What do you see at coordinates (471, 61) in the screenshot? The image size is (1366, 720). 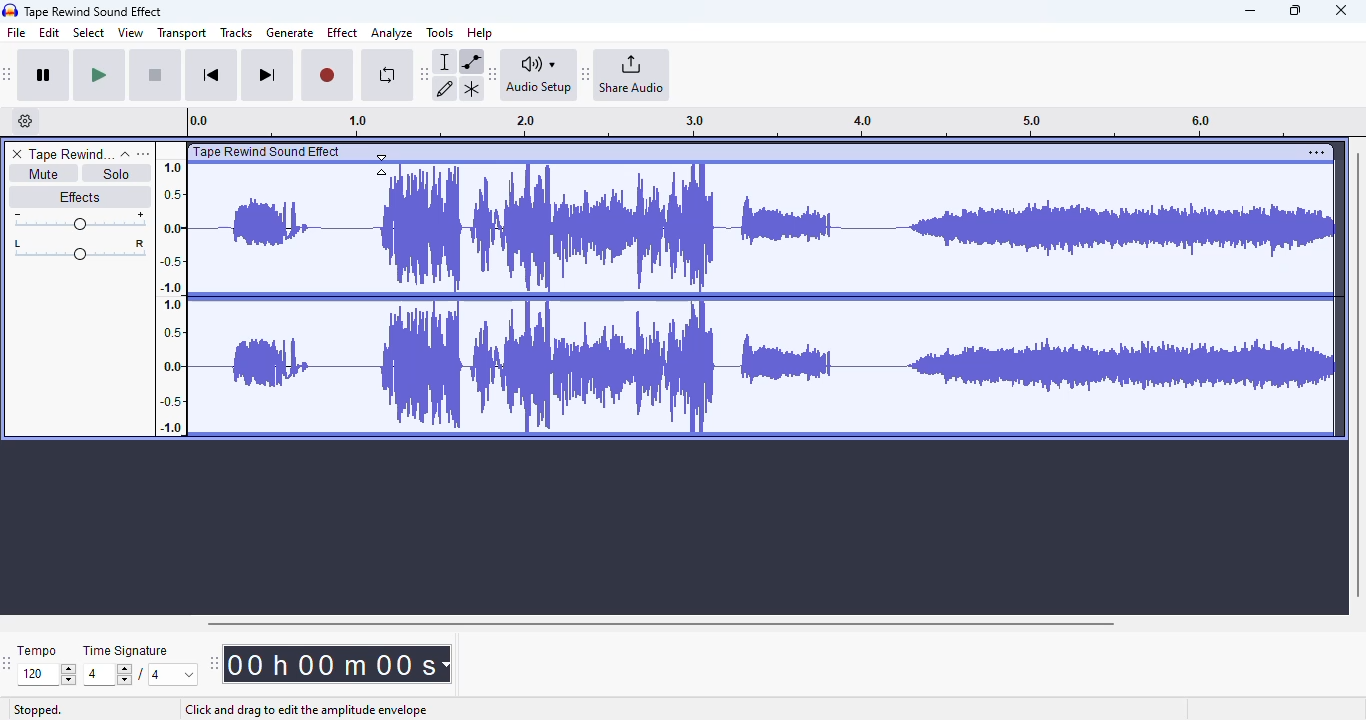 I see `envelope tool` at bounding box center [471, 61].